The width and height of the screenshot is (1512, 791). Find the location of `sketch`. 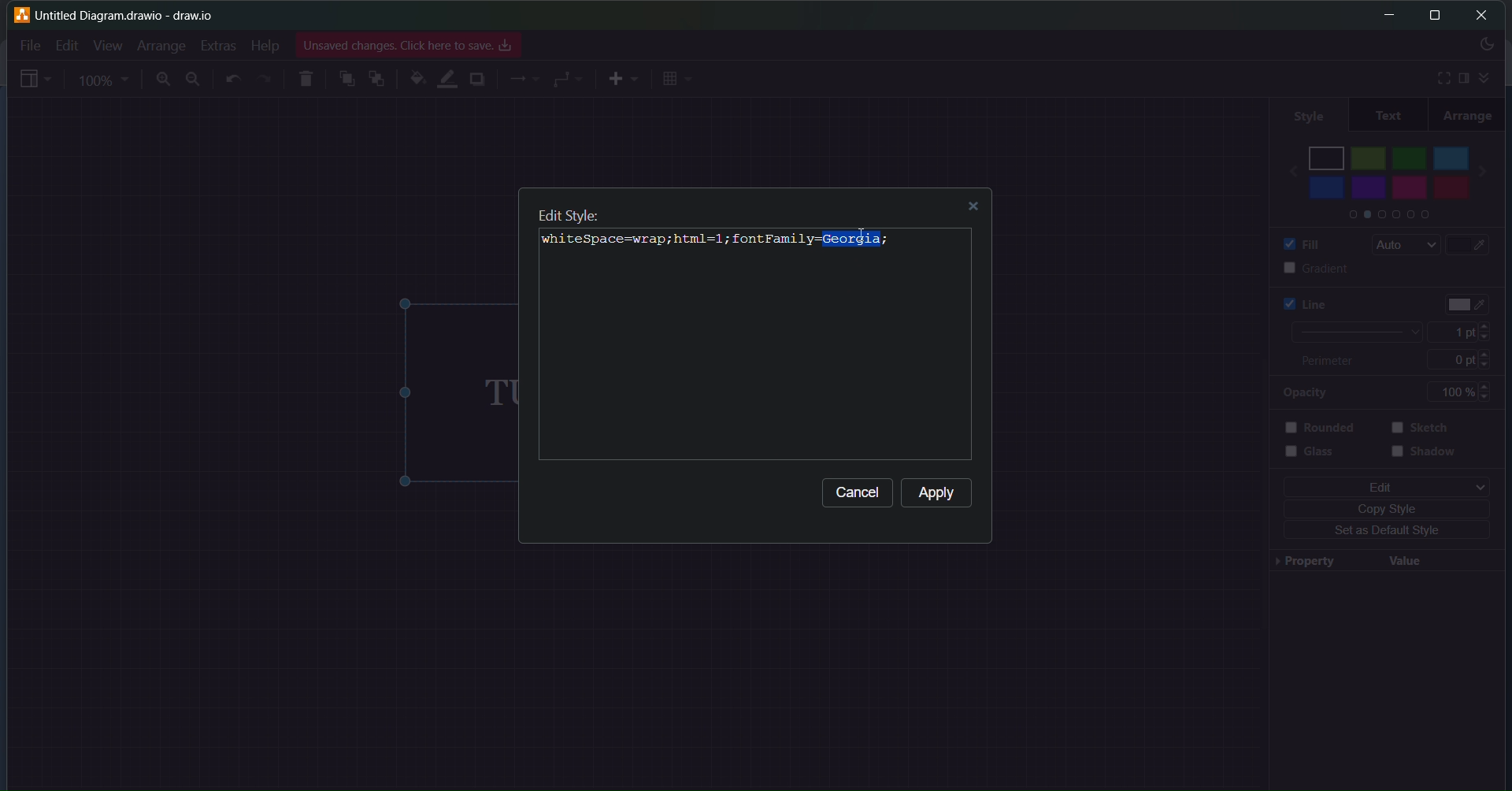

sketch is located at coordinates (1425, 429).